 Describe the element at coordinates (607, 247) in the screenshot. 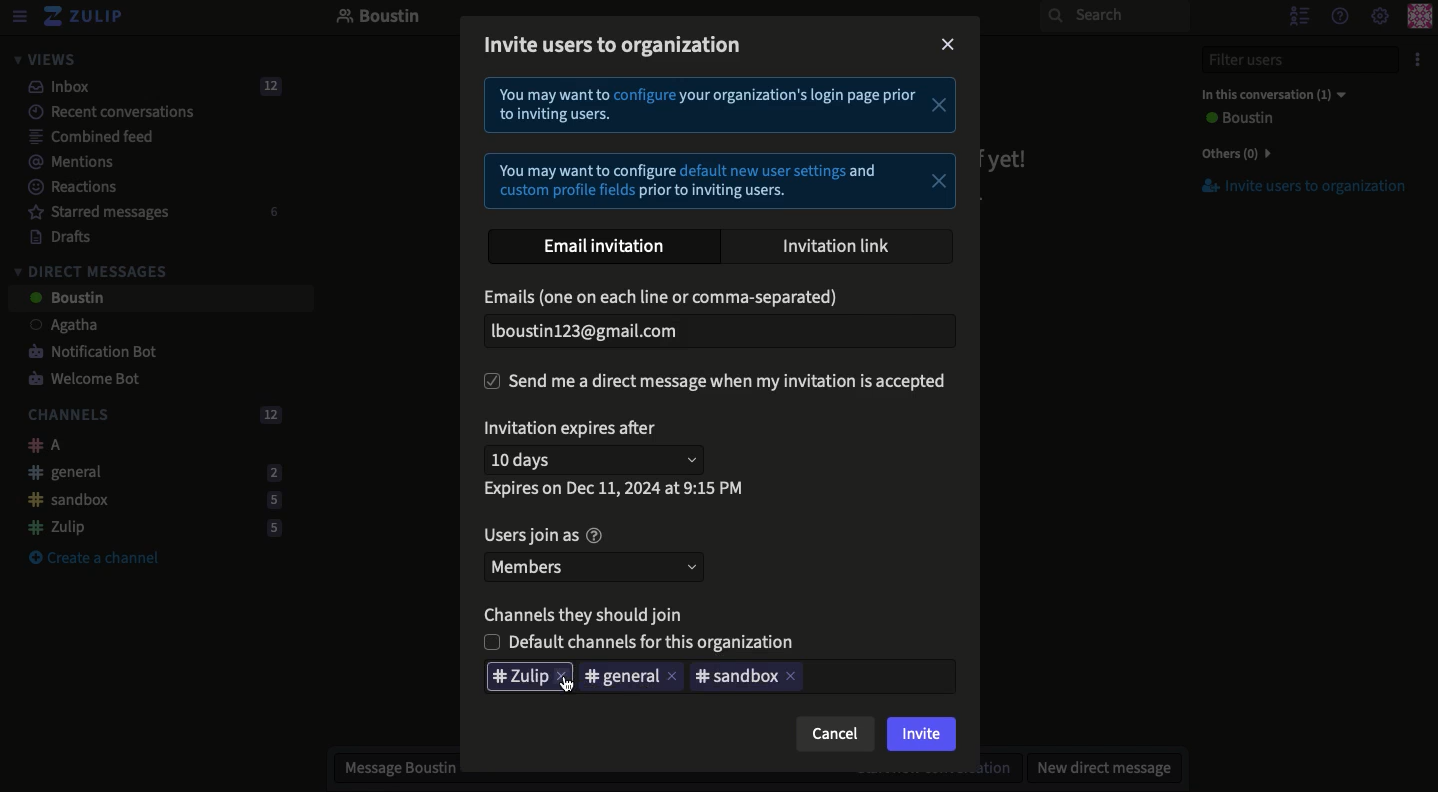

I see `Email invitation ` at that location.